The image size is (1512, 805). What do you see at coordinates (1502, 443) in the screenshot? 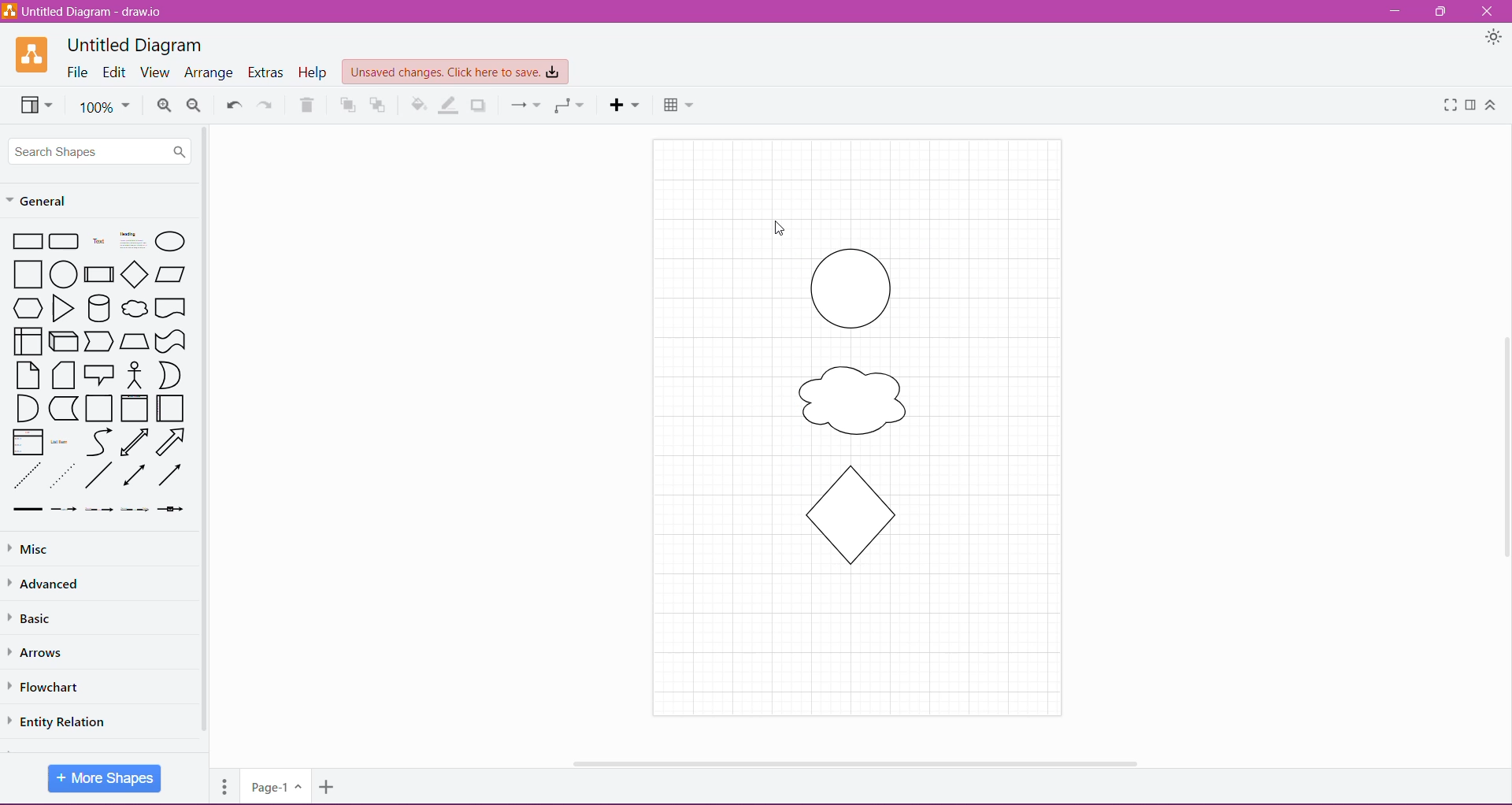
I see `Vertical Scroll Bar` at bounding box center [1502, 443].